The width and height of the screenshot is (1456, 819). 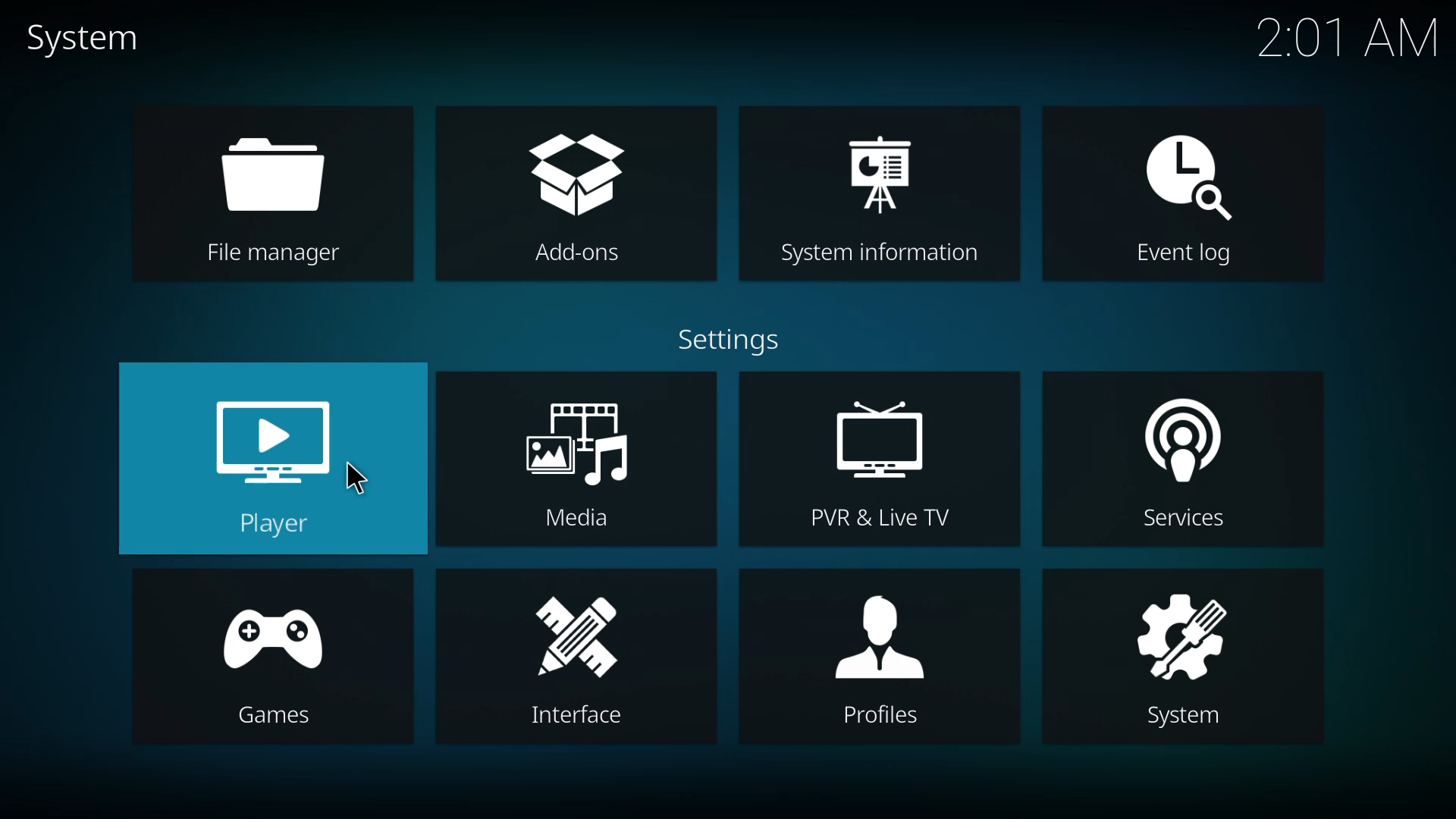 I want to click on time, so click(x=1348, y=38).